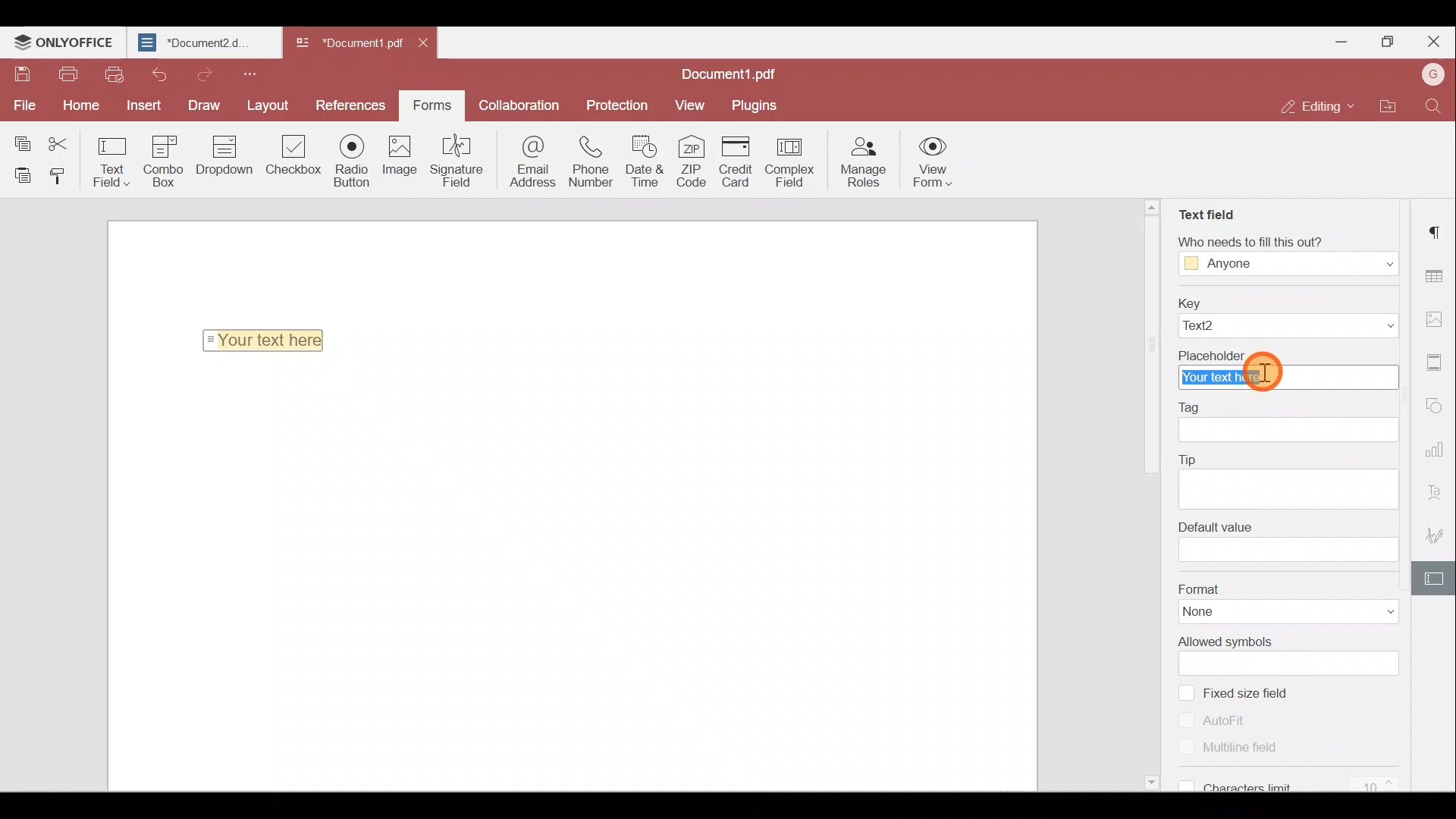  Describe the element at coordinates (932, 165) in the screenshot. I see `View form` at that location.